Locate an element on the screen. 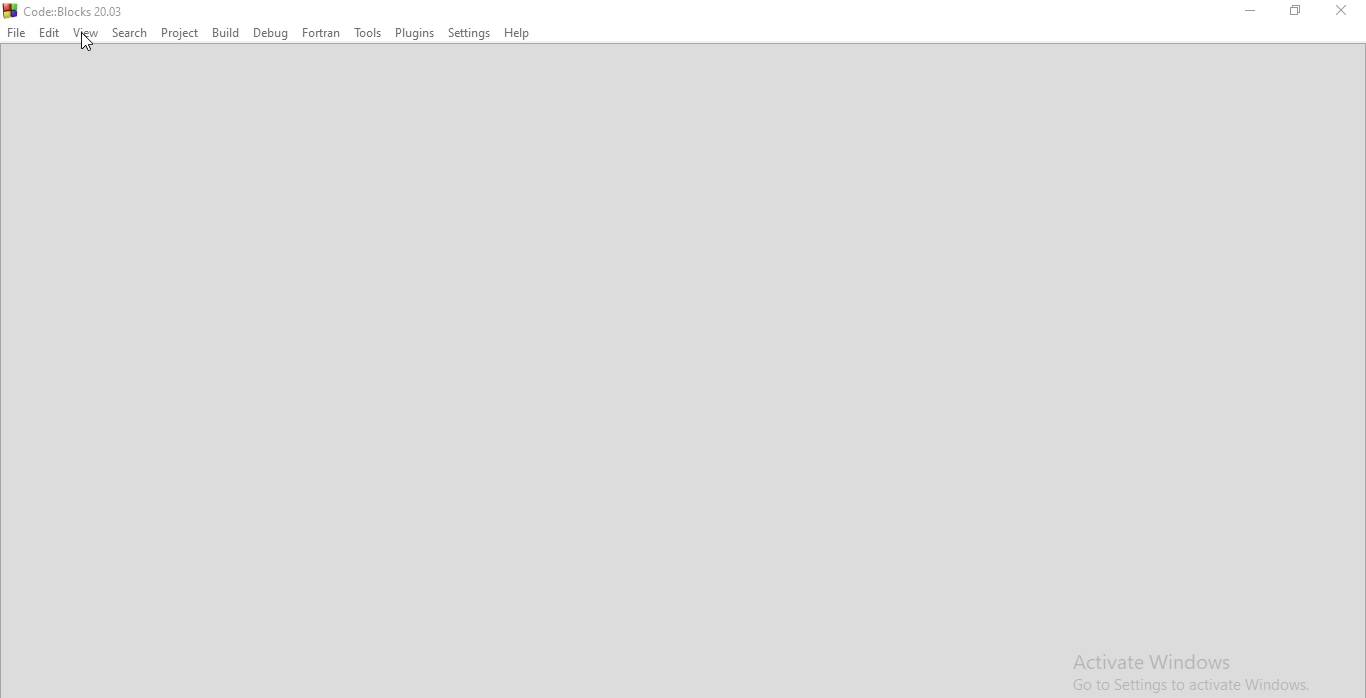  Debug  is located at coordinates (269, 32).